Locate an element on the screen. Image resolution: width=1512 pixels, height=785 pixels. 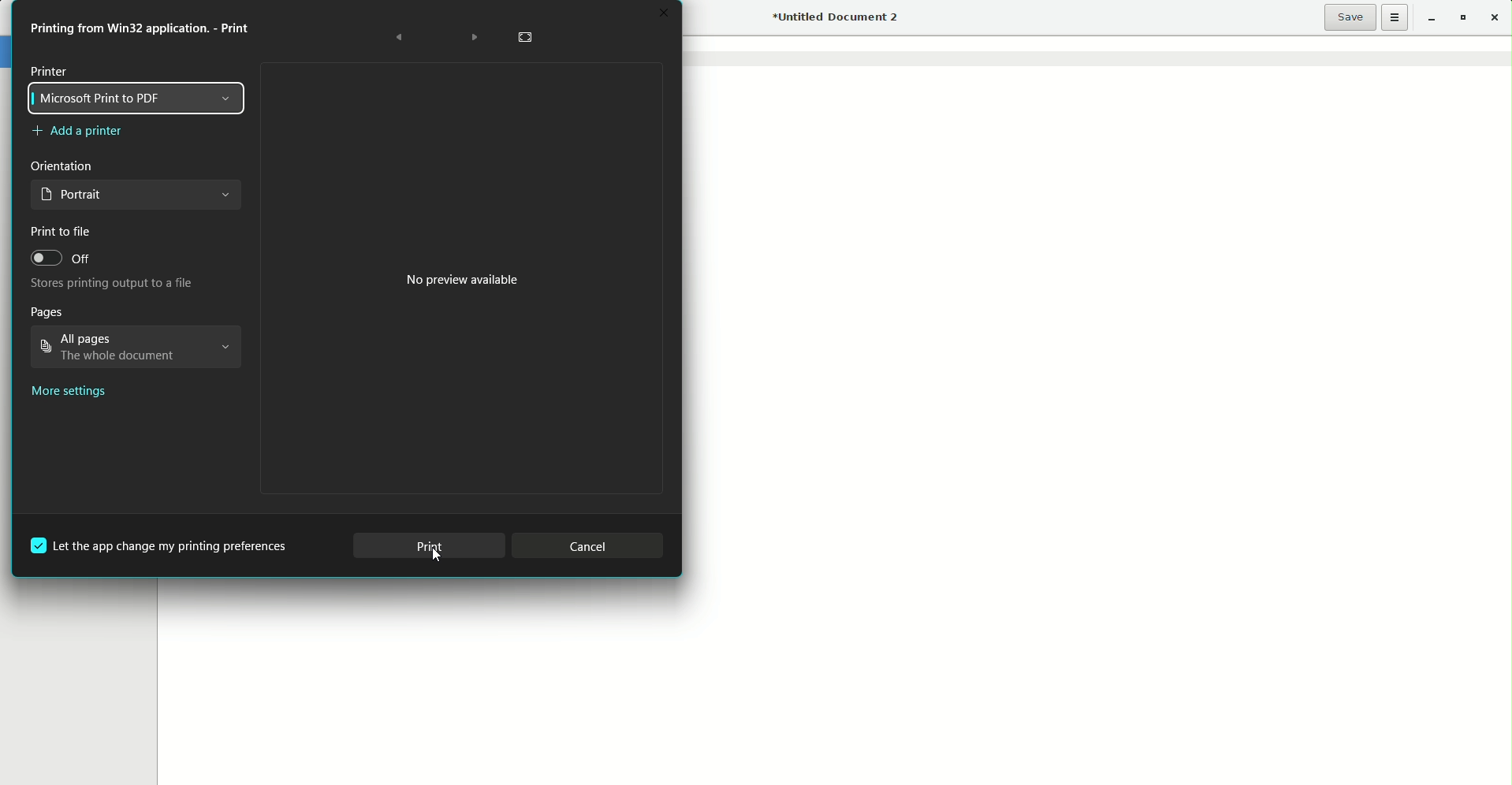
Cancel is located at coordinates (592, 541).